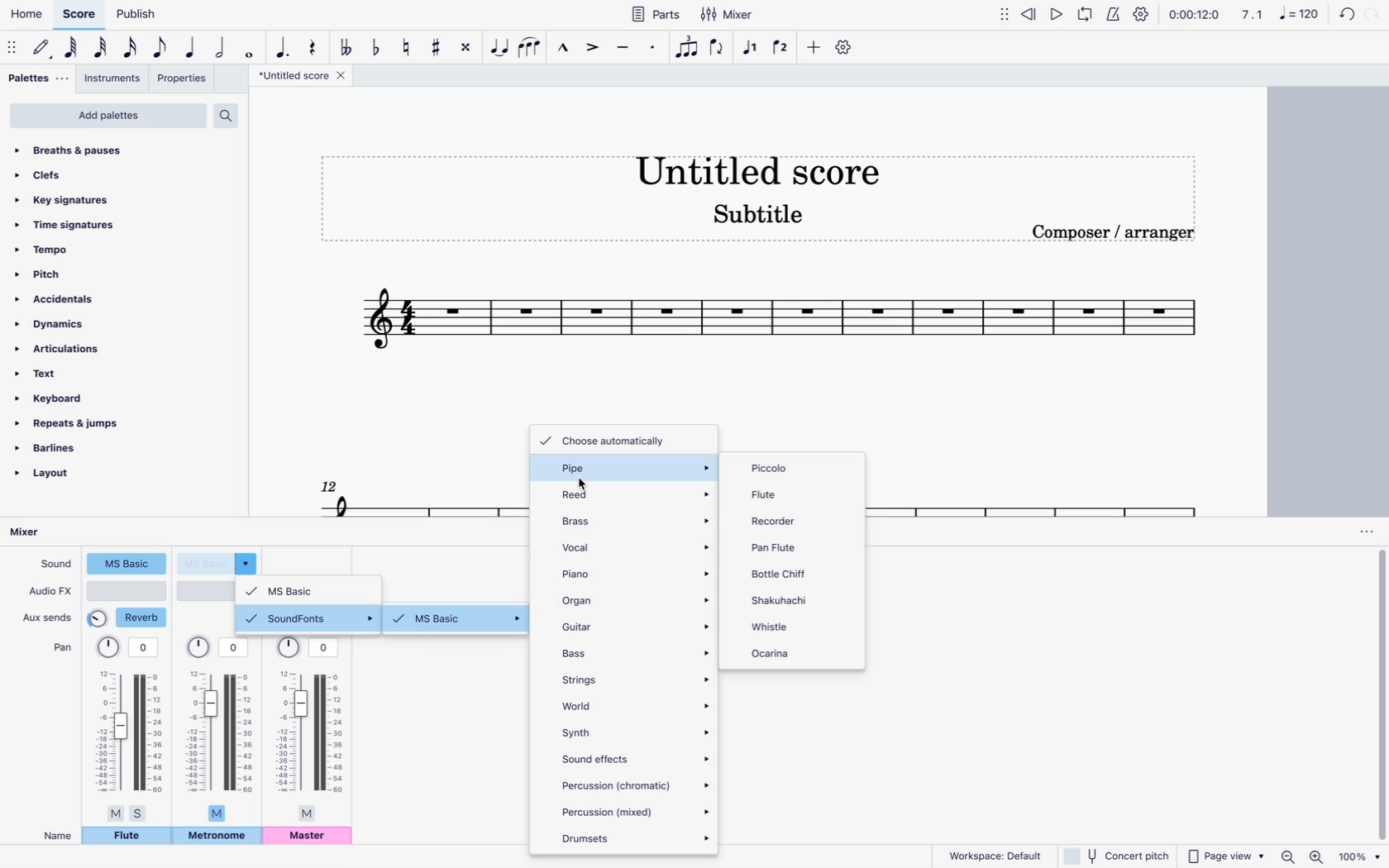 Image resolution: width=1389 pixels, height=868 pixels. Describe the element at coordinates (635, 757) in the screenshot. I see `sound effects` at that location.